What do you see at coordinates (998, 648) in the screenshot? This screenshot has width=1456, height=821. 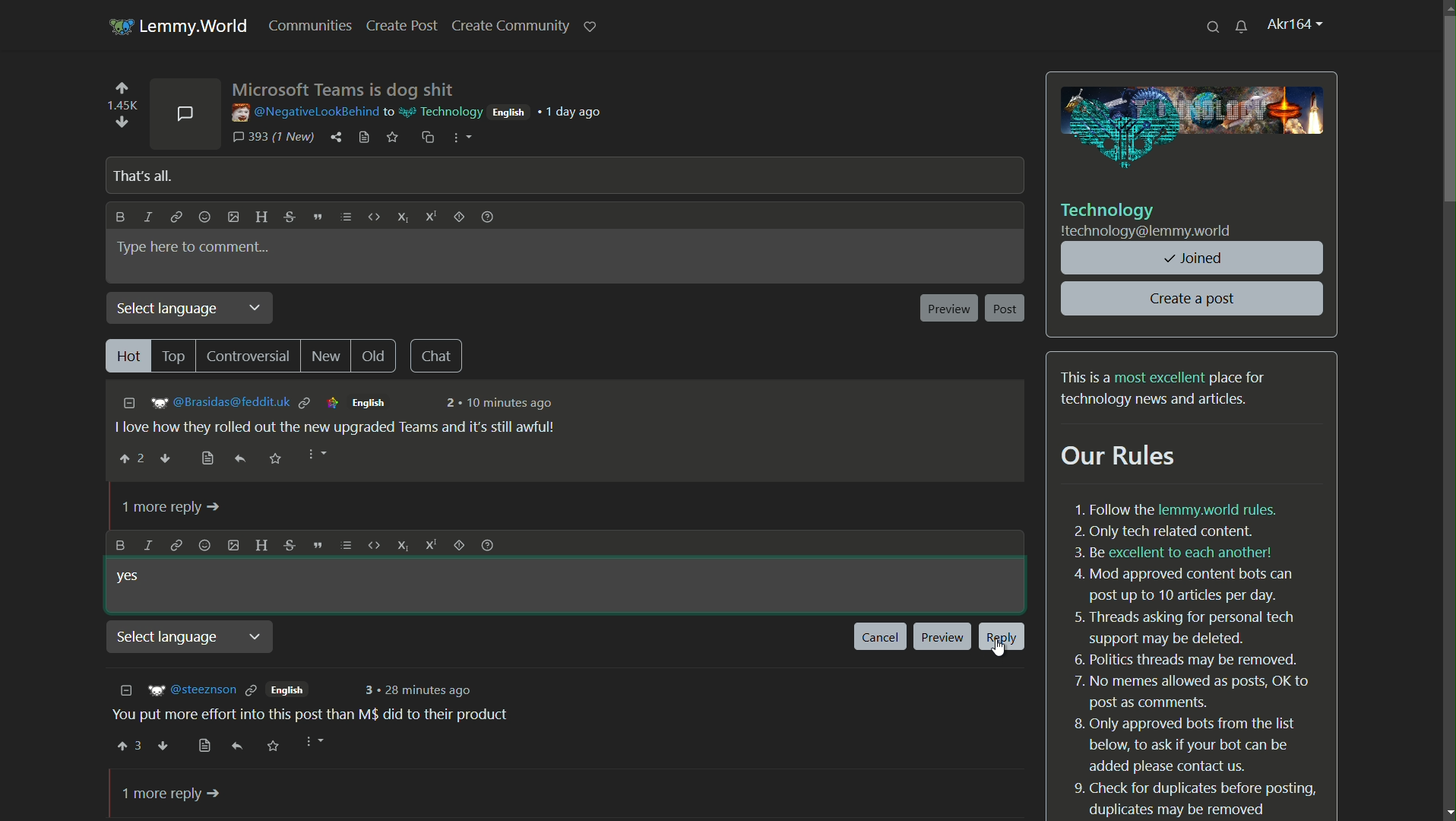 I see `cursor` at bounding box center [998, 648].